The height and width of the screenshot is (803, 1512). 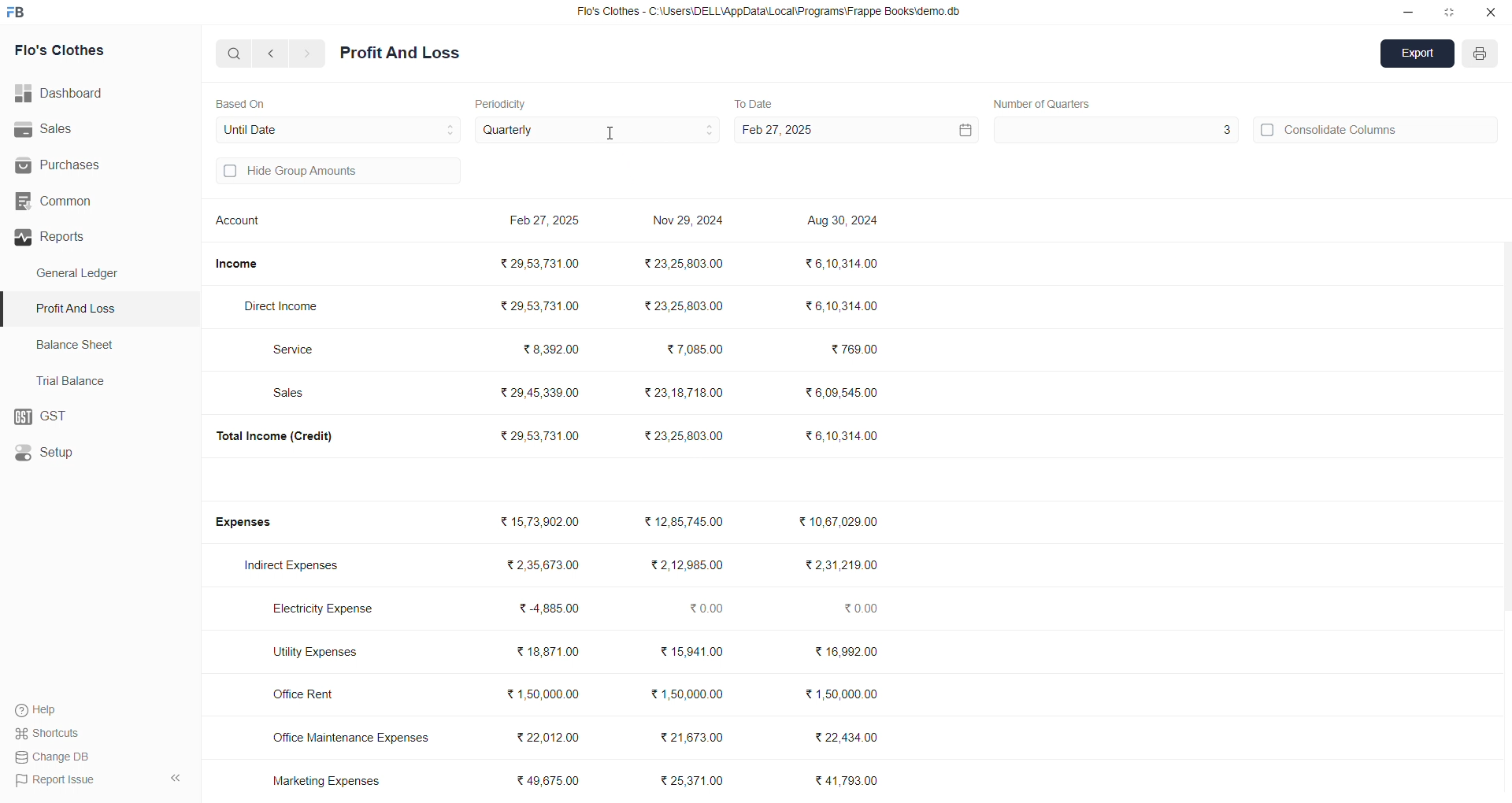 What do you see at coordinates (90, 130) in the screenshot?
I see `Sales` at bounding box center [90, 130].